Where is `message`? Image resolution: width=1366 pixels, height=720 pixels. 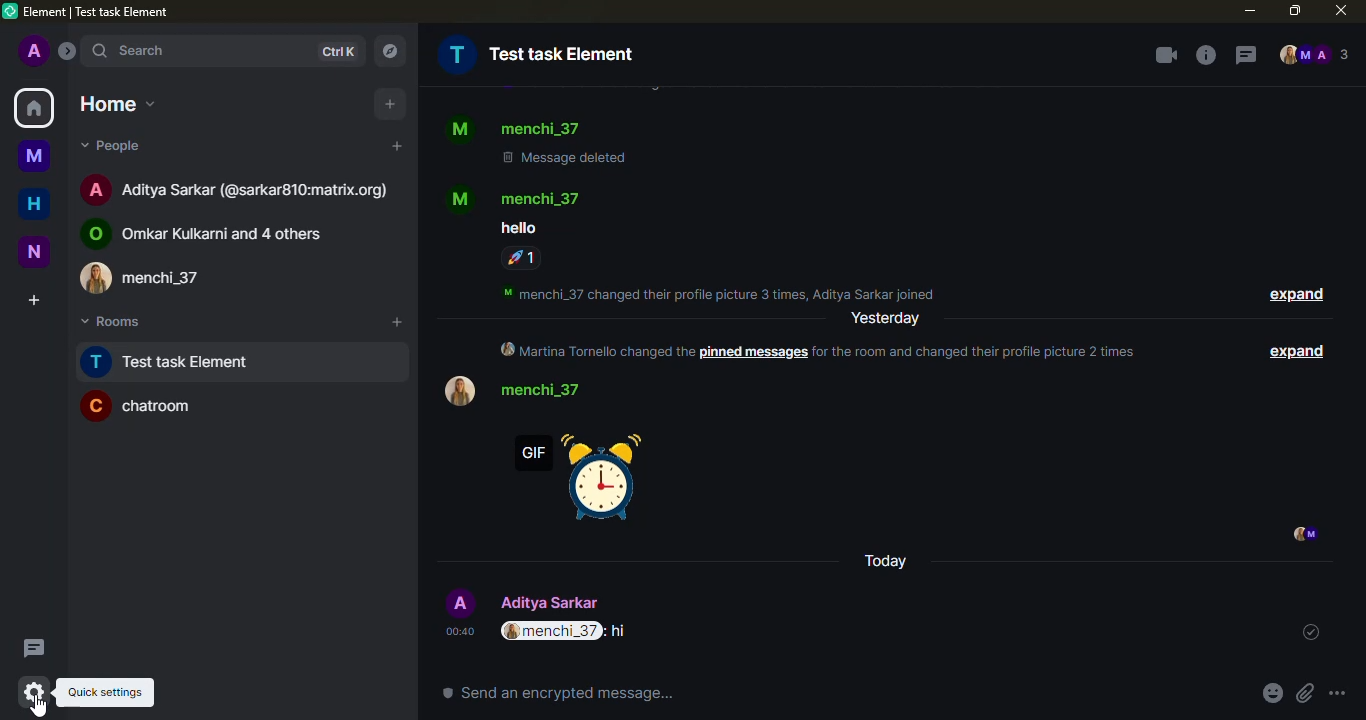 message is located at coordinates (516, 228).